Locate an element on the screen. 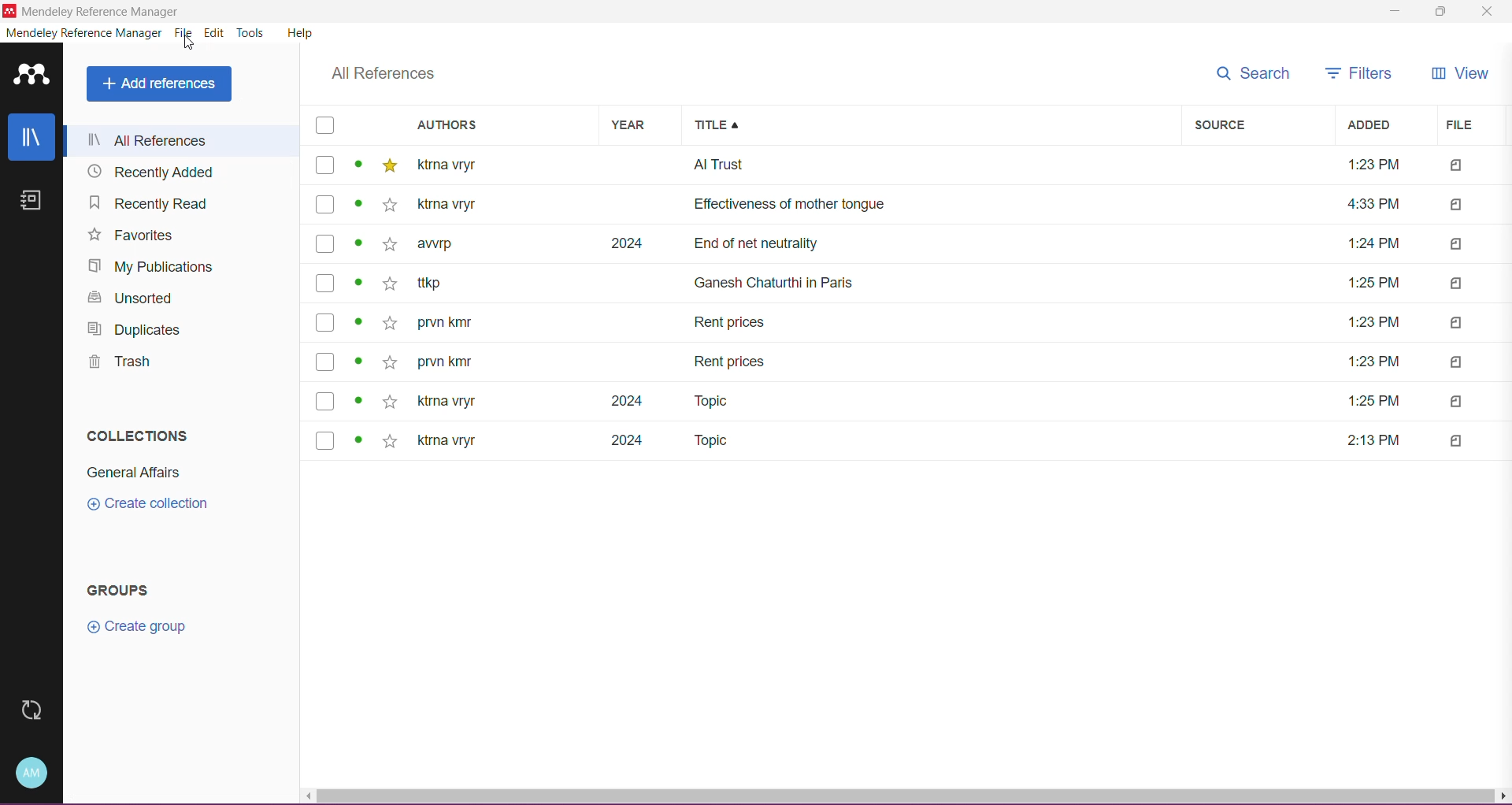 The width and height of the screenshot is (1512, 805). Title is located at coordinates (934, 125).